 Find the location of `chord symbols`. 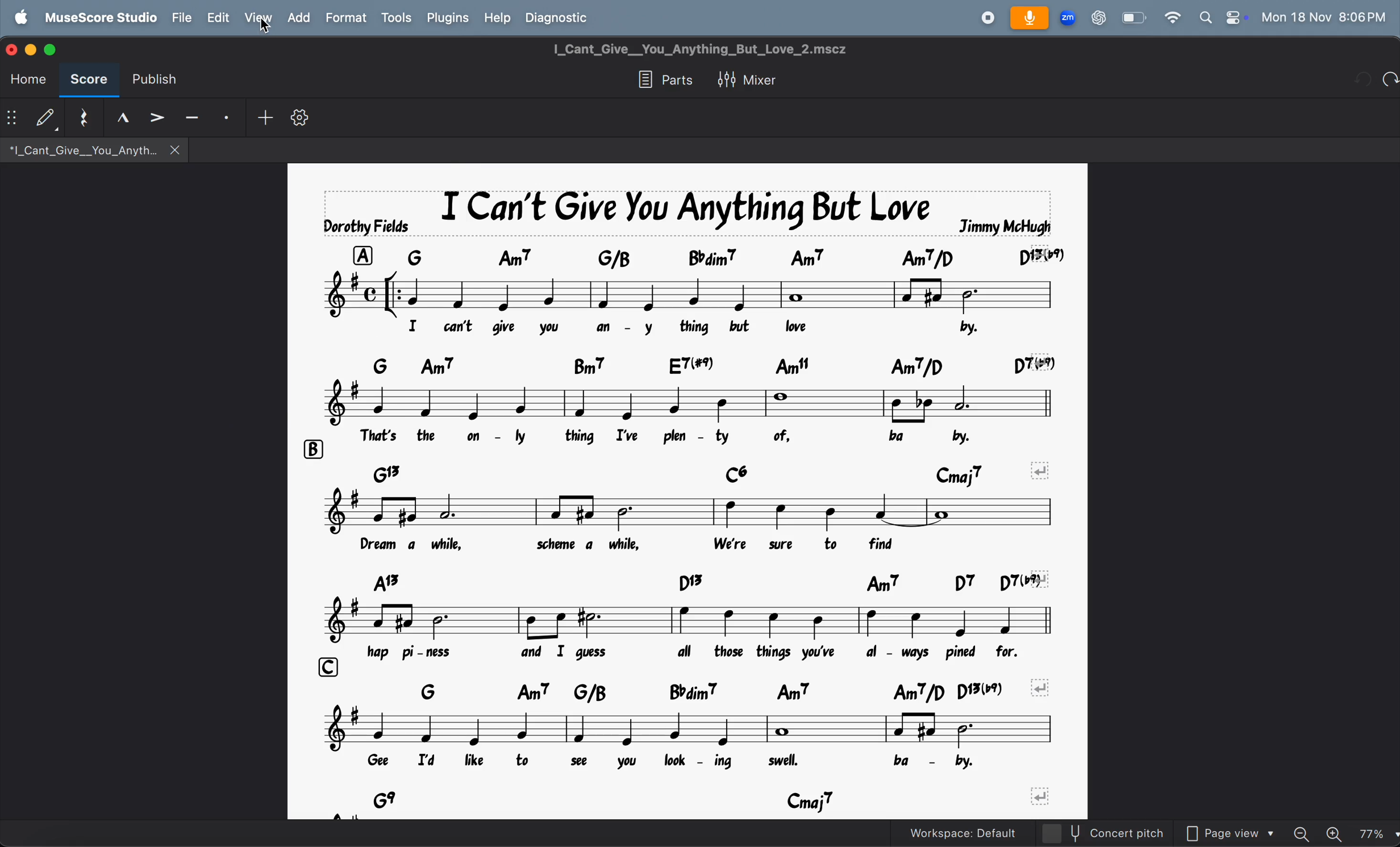

chord symbols is located at coordinates (717, 689).